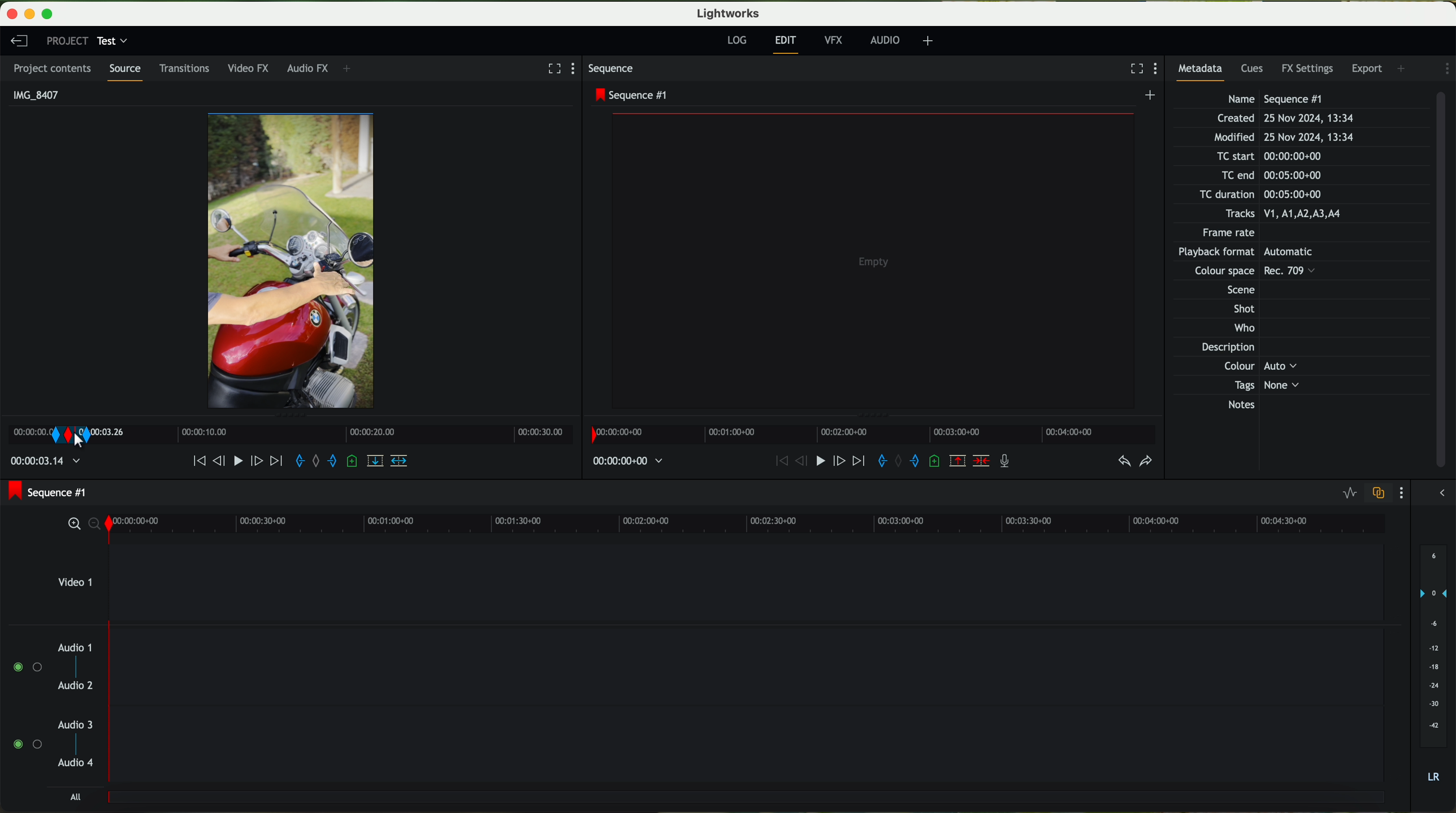 The width and height of the screenshot is (1456, 813). I want to click on remove the marked section, so click(959, 462).